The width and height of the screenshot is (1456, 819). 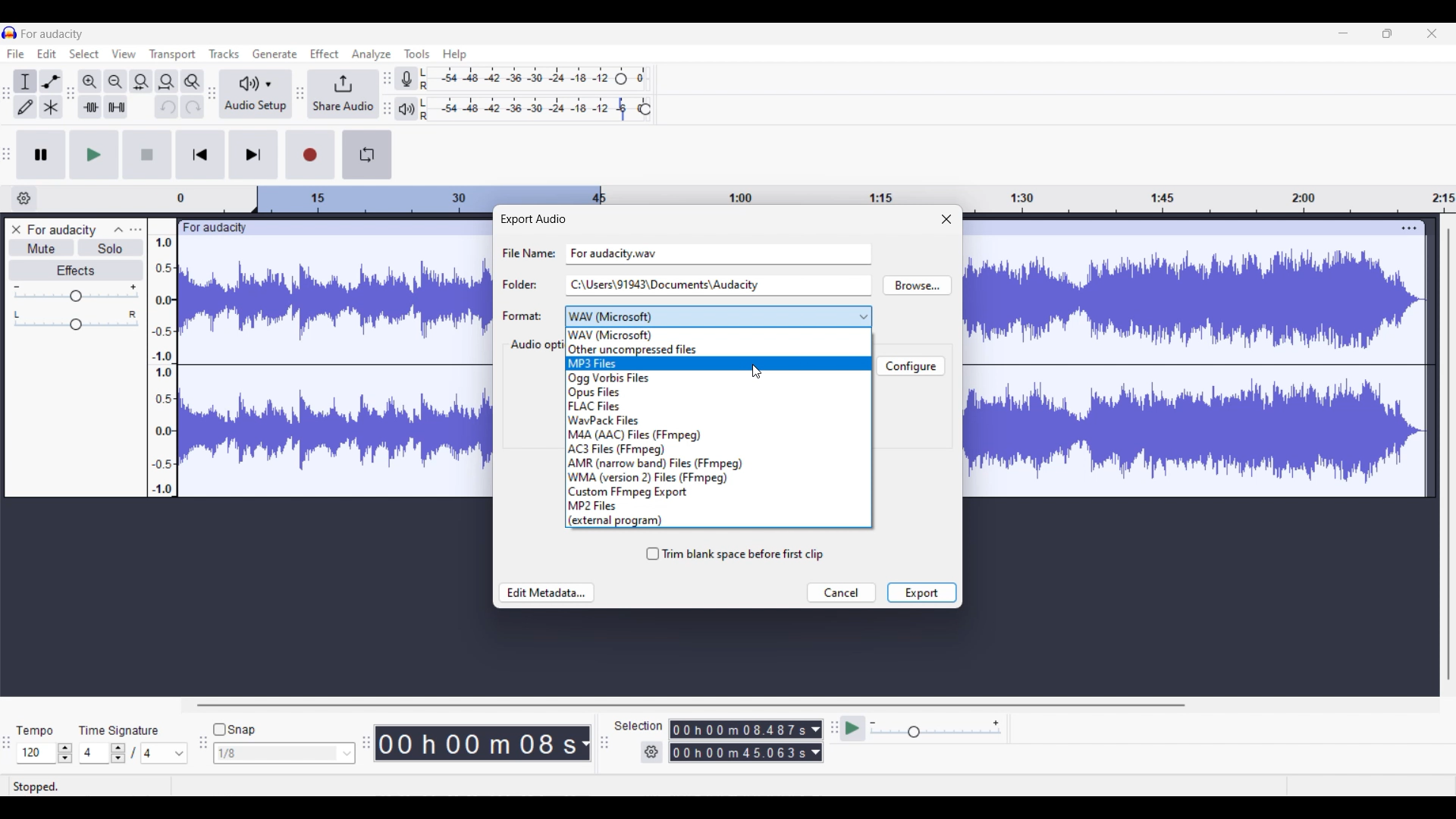 What do you see at coordinates (24, 199) in the screenshot?
I see `Timeline options` at bounding box center [24, 199].